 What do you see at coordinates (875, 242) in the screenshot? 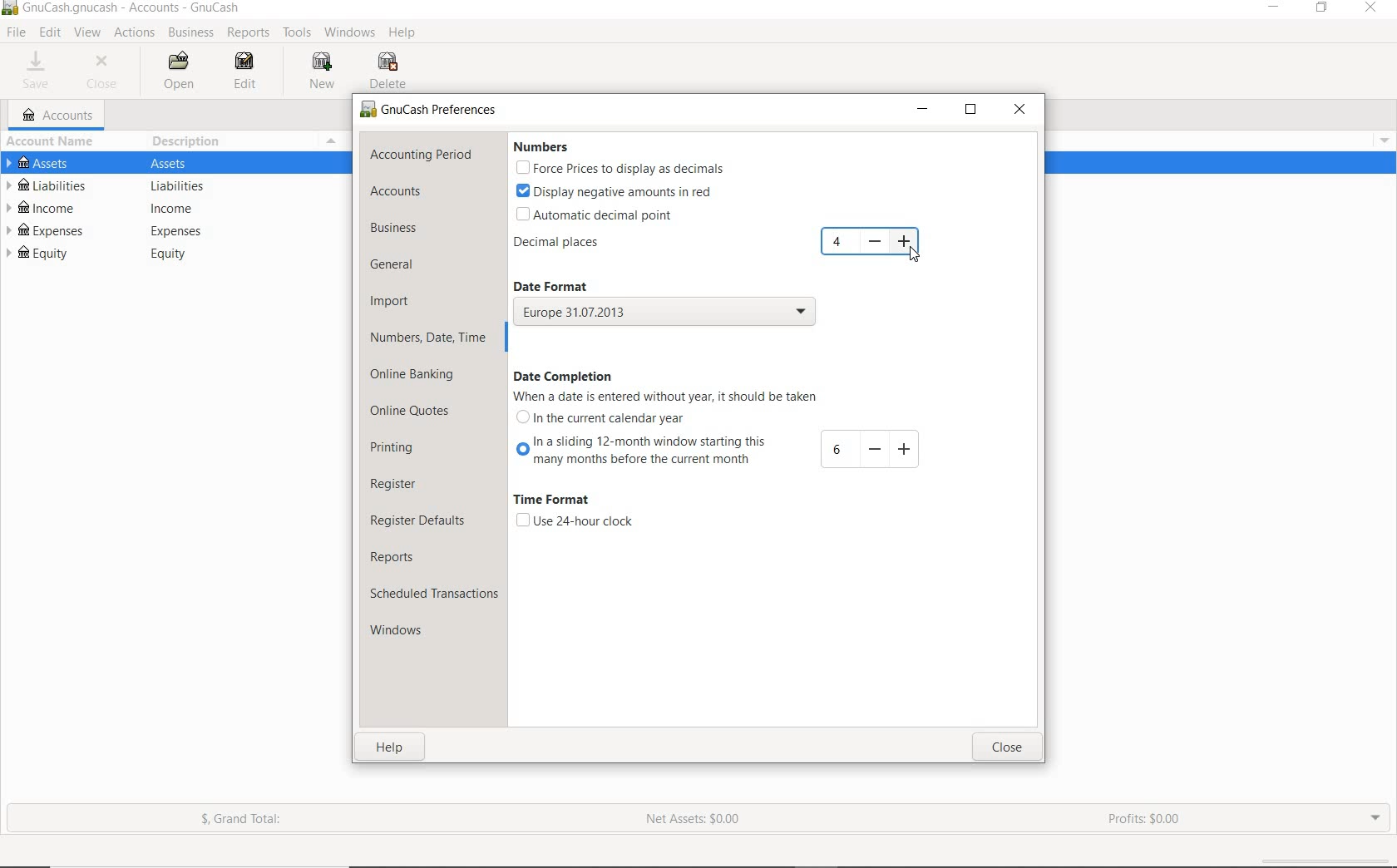
I see `-` at bounding box center [875, 242].